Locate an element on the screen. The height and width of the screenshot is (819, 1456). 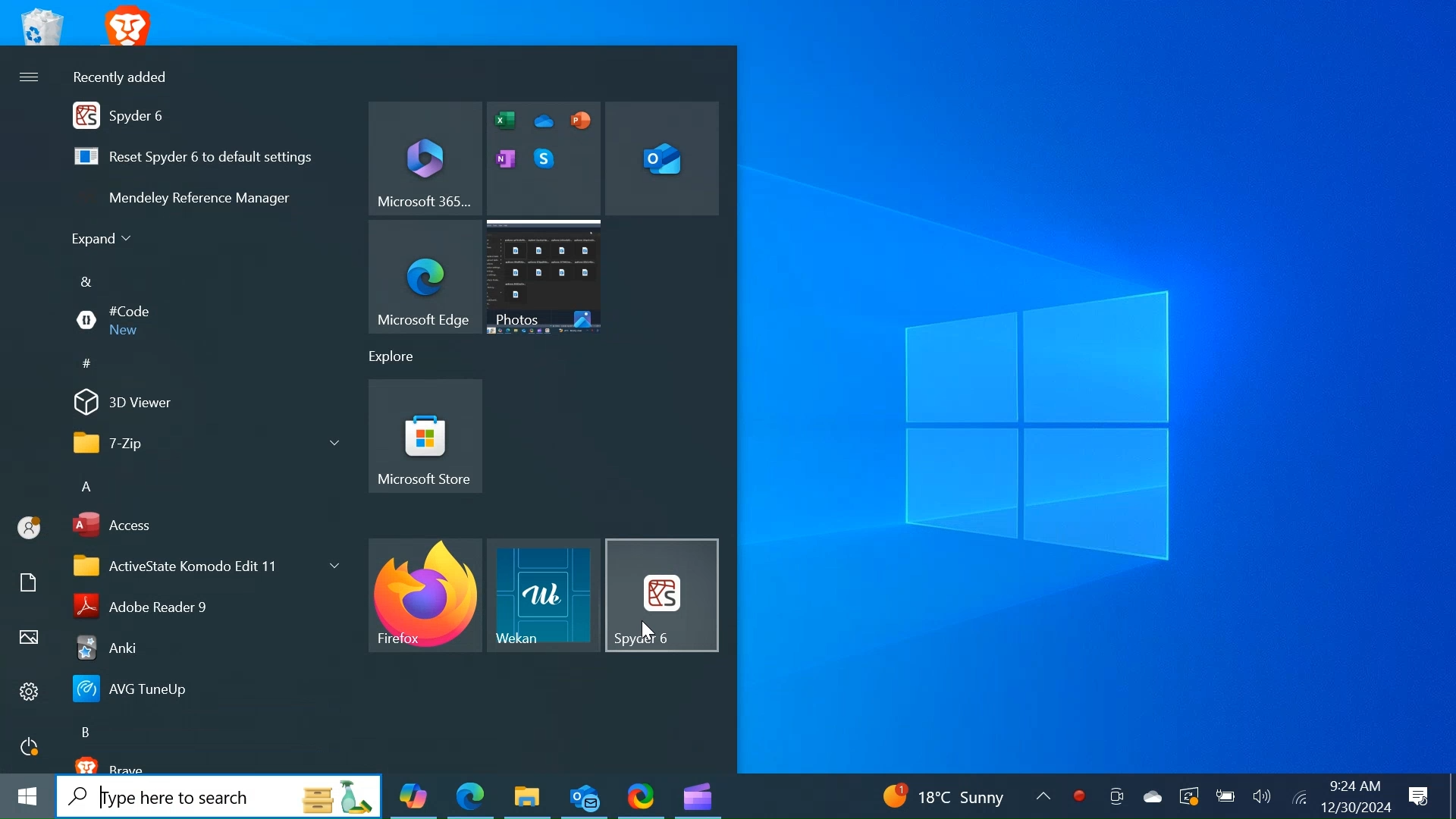
Restart Update is located at coordinates (1190, 794).